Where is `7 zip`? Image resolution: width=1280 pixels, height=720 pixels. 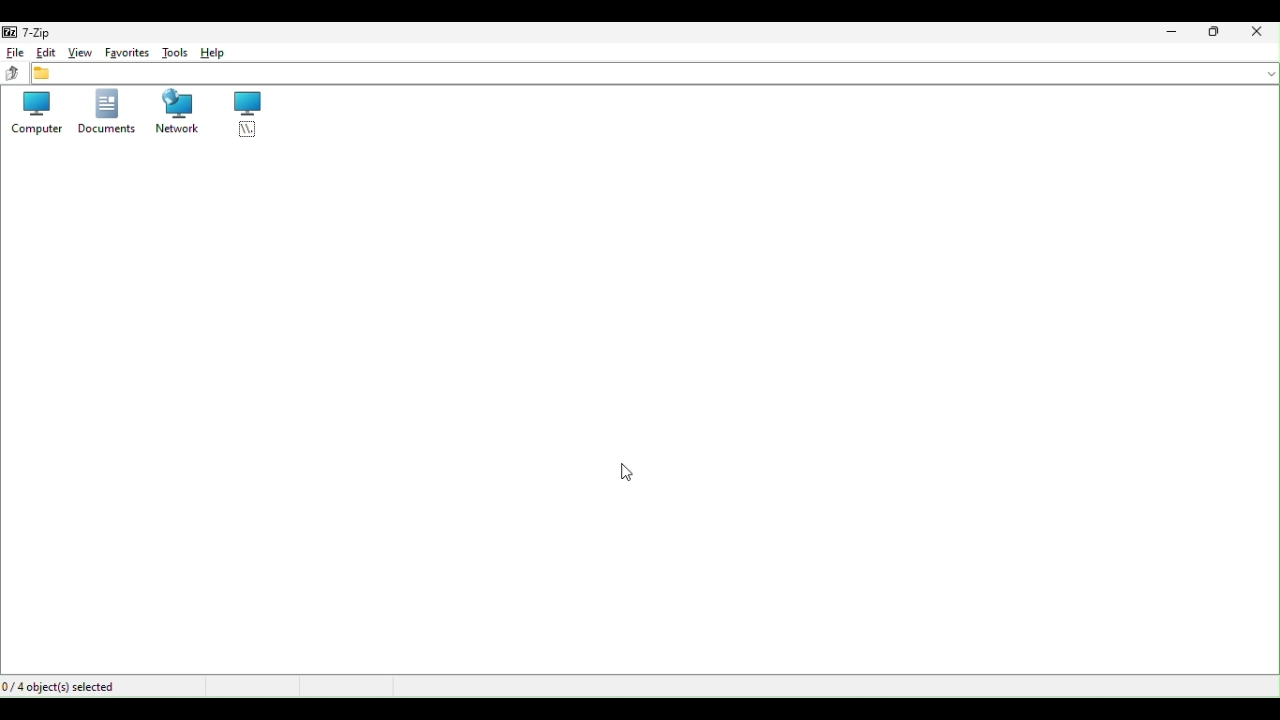
7 zip is located at coordinates (33, 33).